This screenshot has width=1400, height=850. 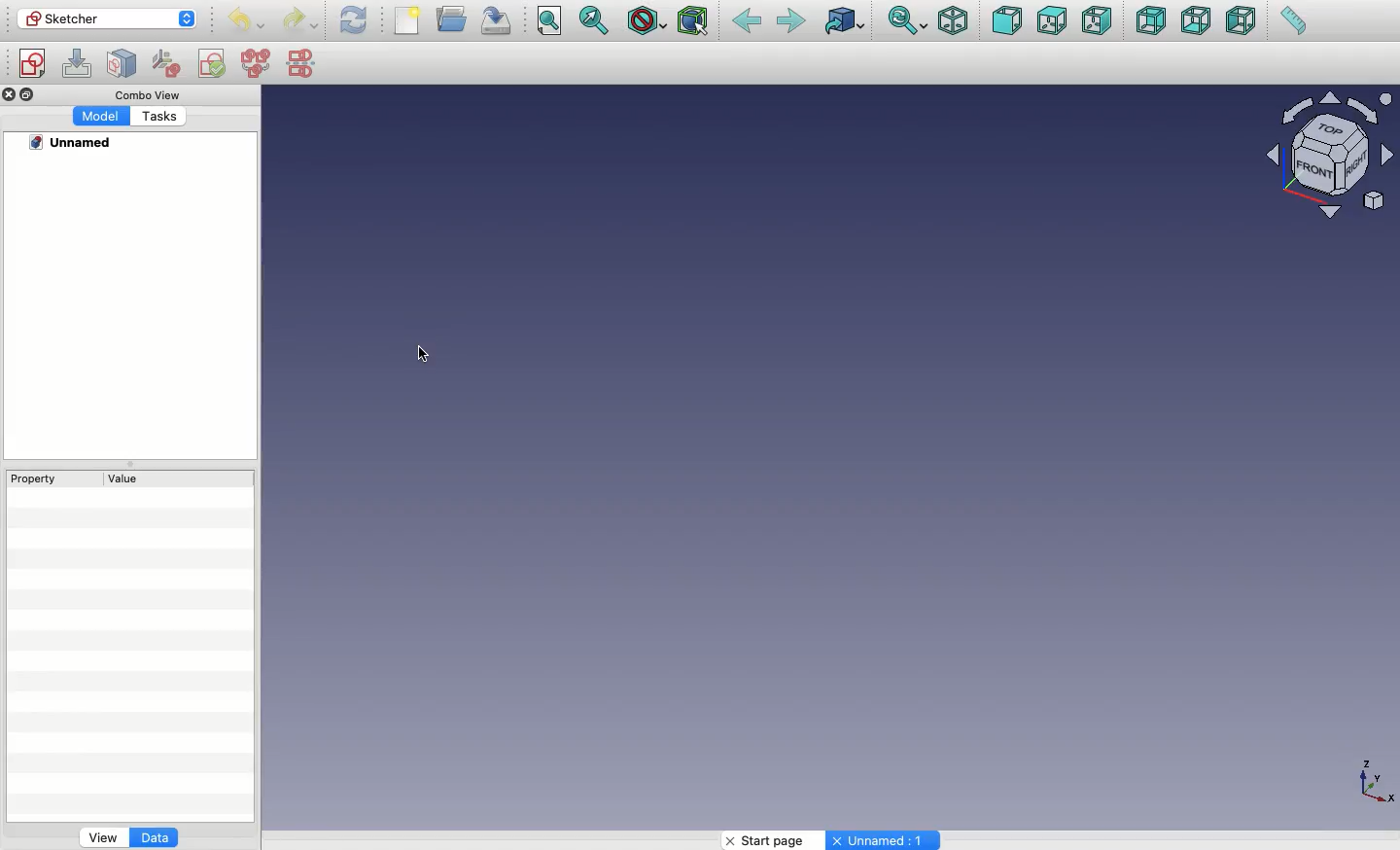 What do you see at coordinates (1050, 20) in the screenshot?
I see `Top` at bounding box center [1050, 20].